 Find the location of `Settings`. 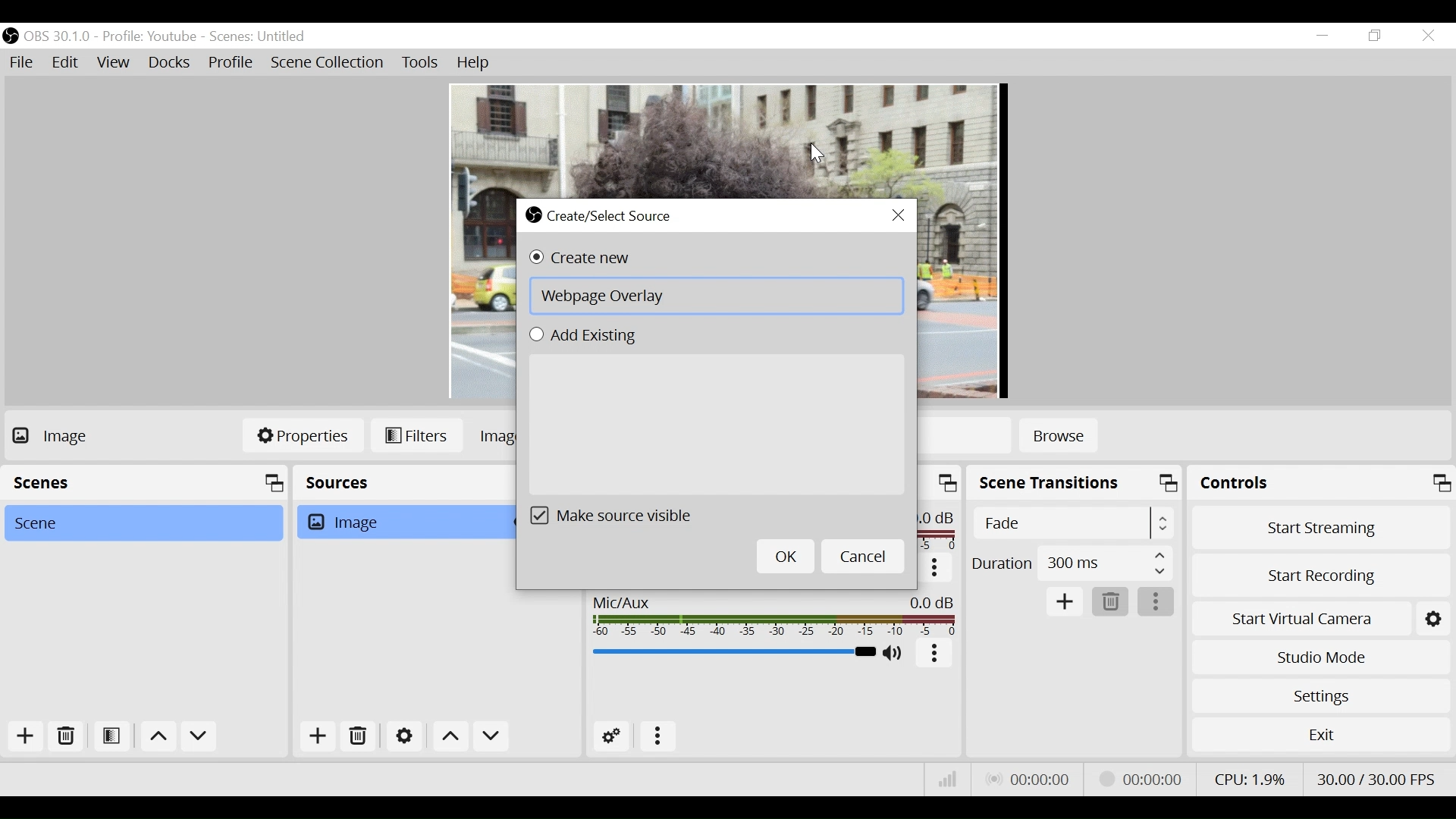

Settings is located at coordinates (1431, 620).